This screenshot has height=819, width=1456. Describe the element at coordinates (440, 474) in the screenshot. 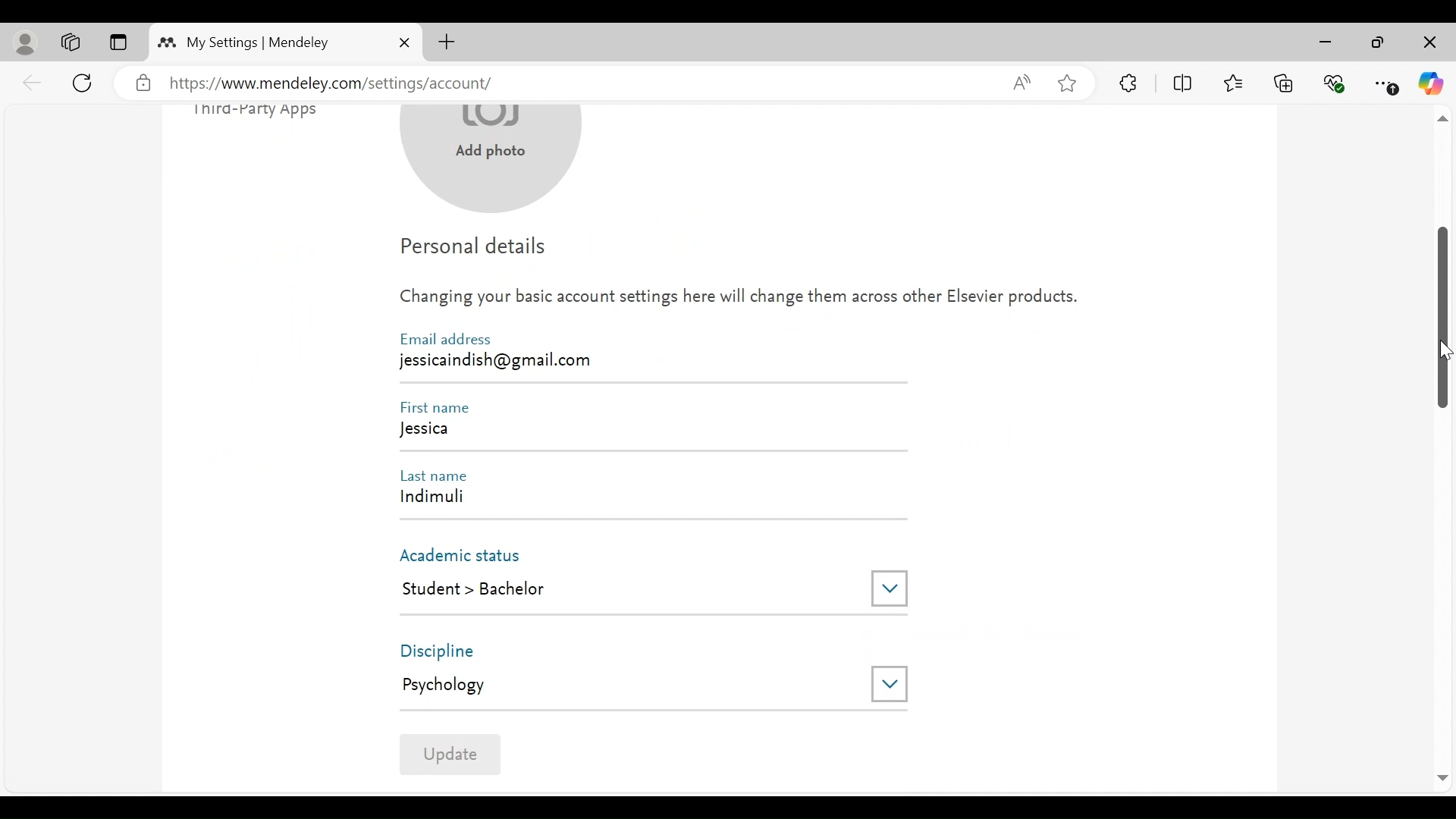

I see `Last Name` at that location.